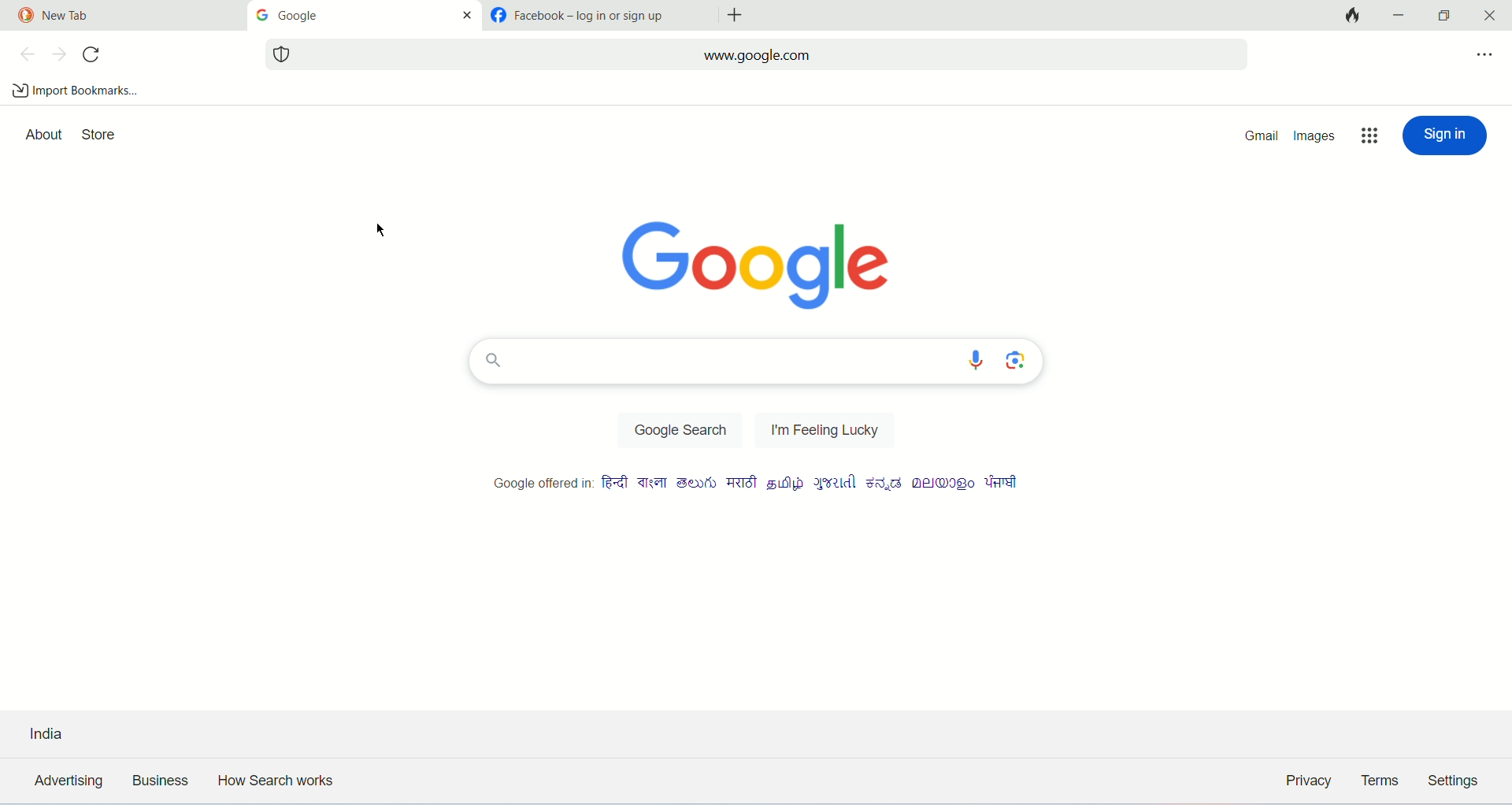 The height and width of the screenshot is (805, 1512). Describe the element at coordinates (1444, 135) in the screenshot. I see `sign in` at that location.